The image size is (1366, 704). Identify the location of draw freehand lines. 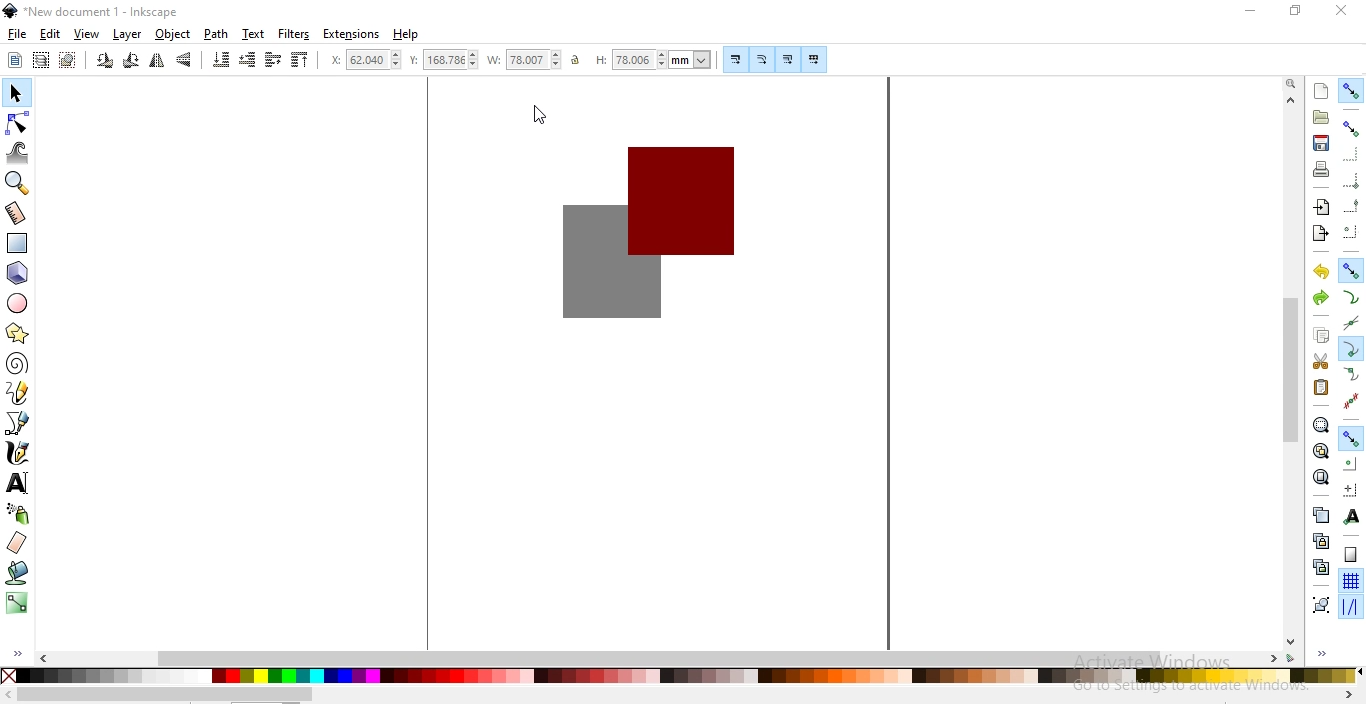
(18, 392).